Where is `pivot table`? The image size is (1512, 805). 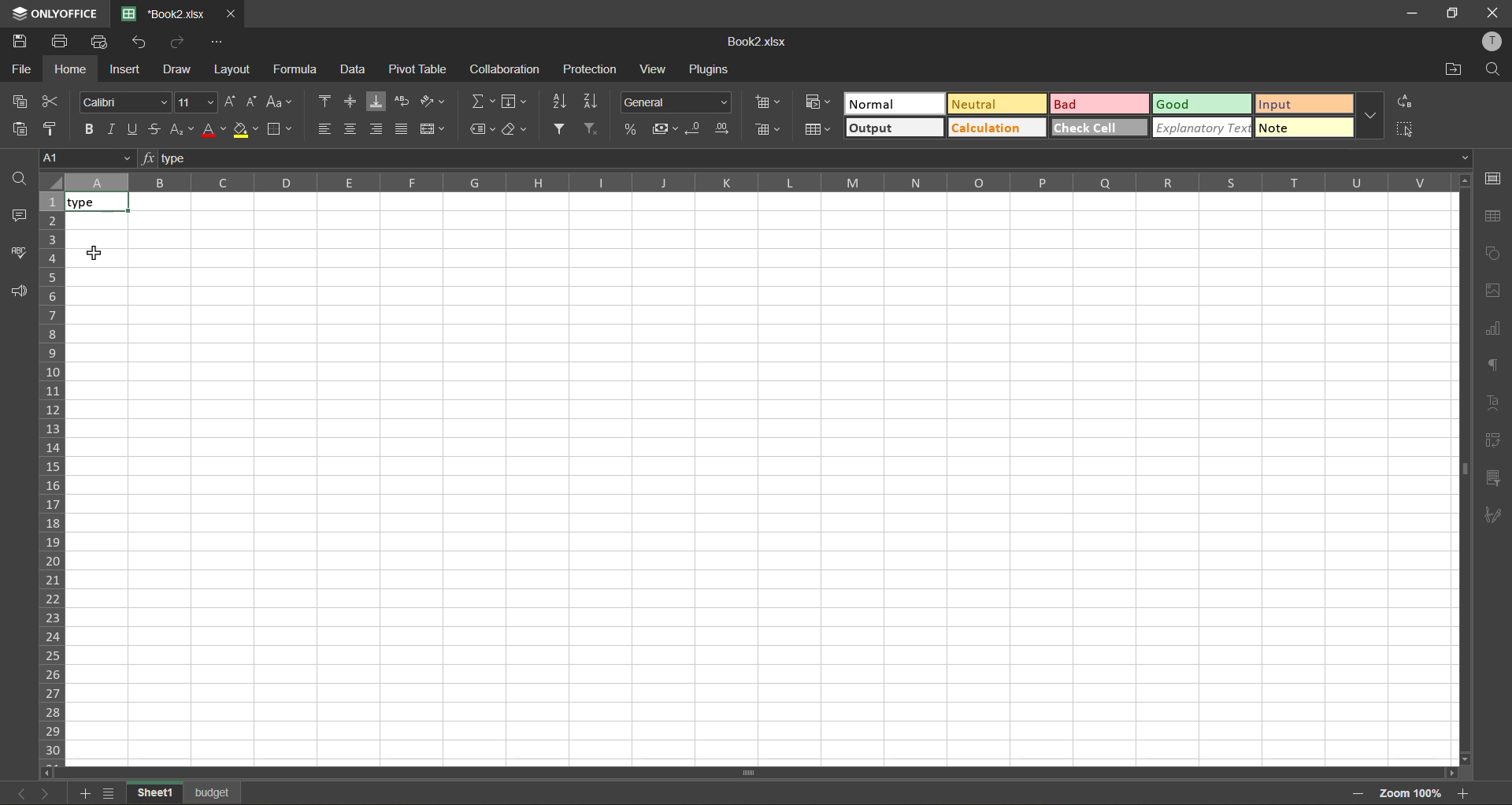 pivot table is located at coordinates (421, 70).